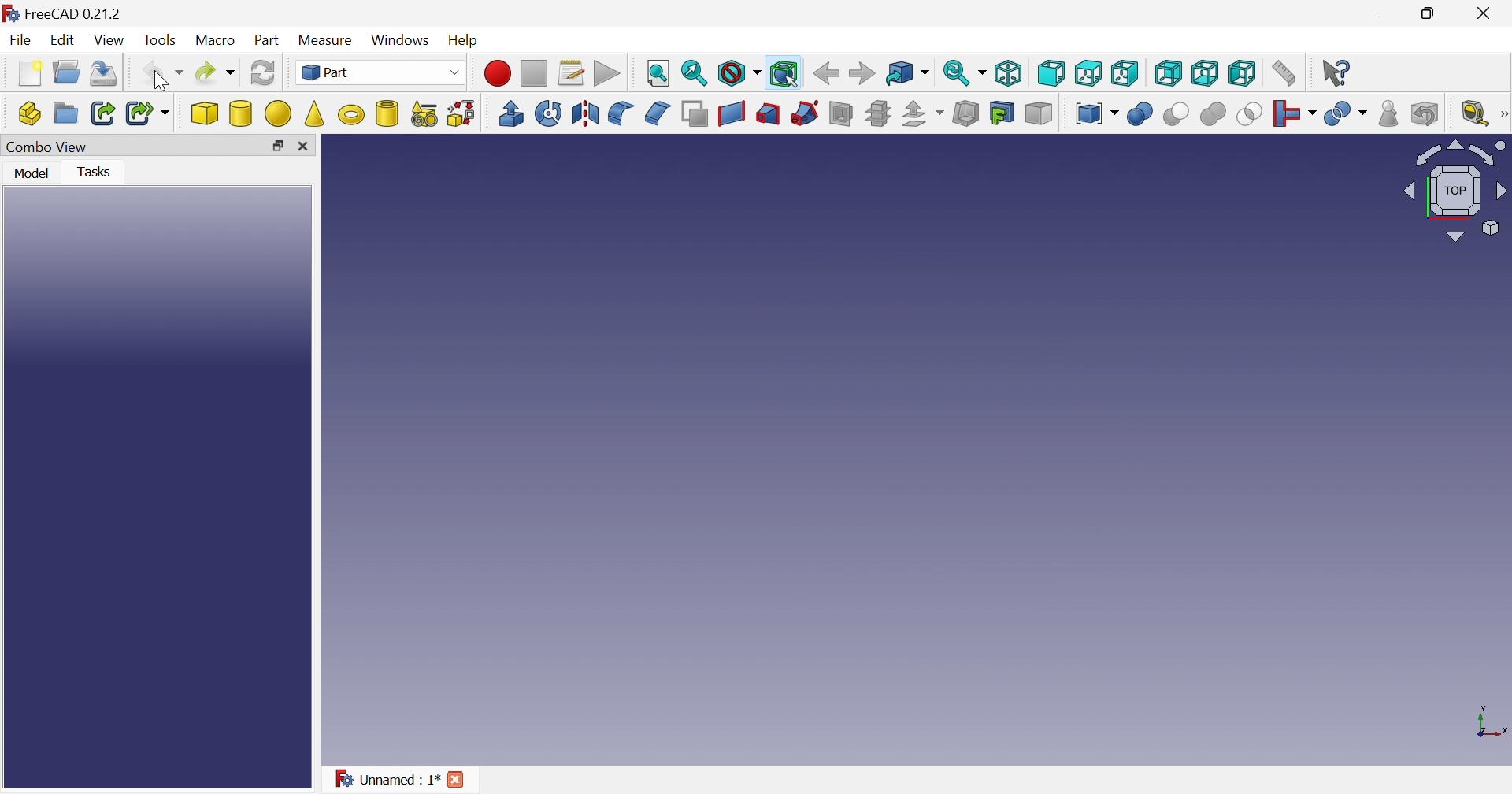 This screenshot has height=794, width=1512. Describe the element at coordinates (67, 114) in the screenshot. I see `Create group` at that location.